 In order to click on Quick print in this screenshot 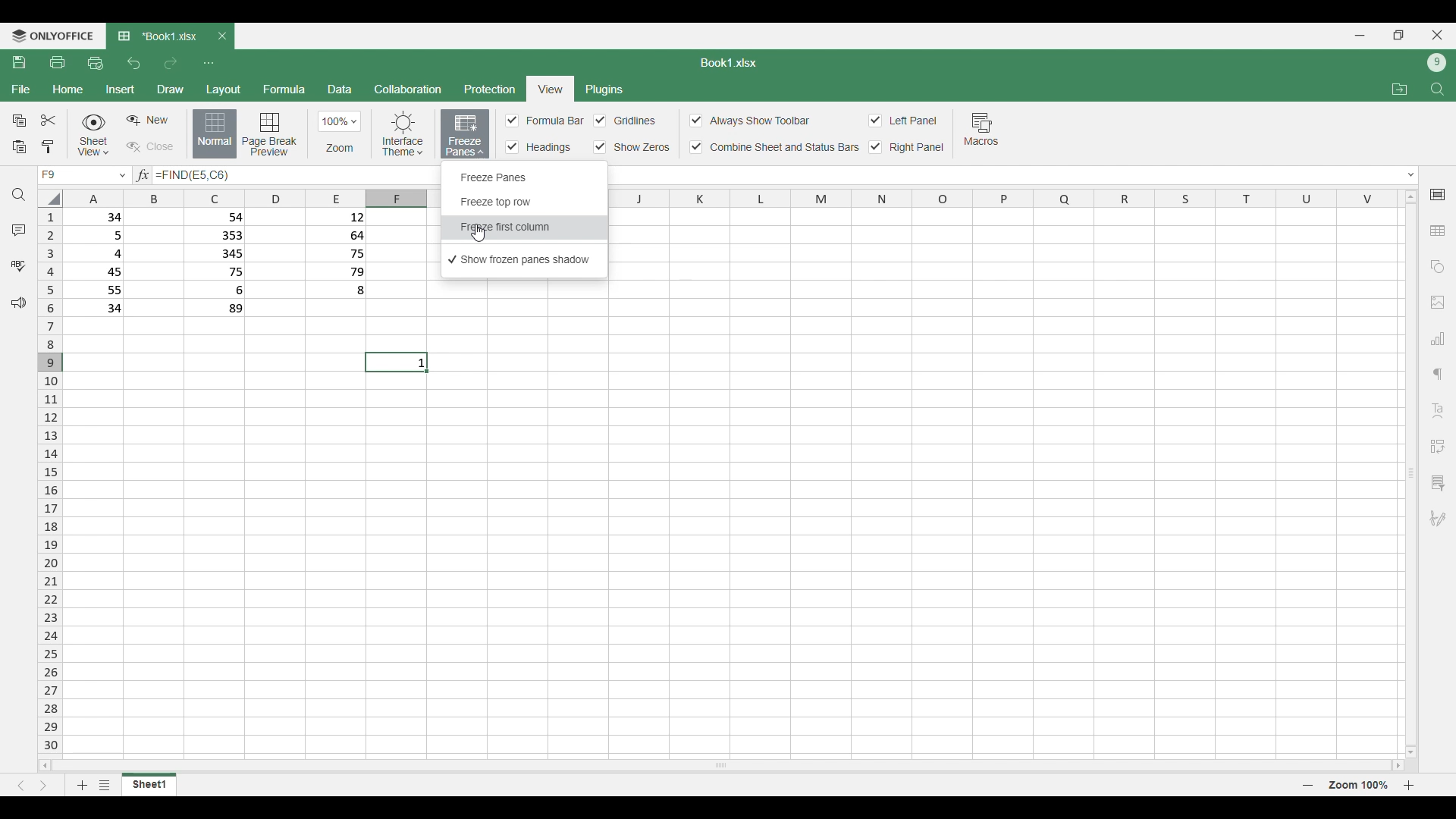, I will do `click(96, 64)`.